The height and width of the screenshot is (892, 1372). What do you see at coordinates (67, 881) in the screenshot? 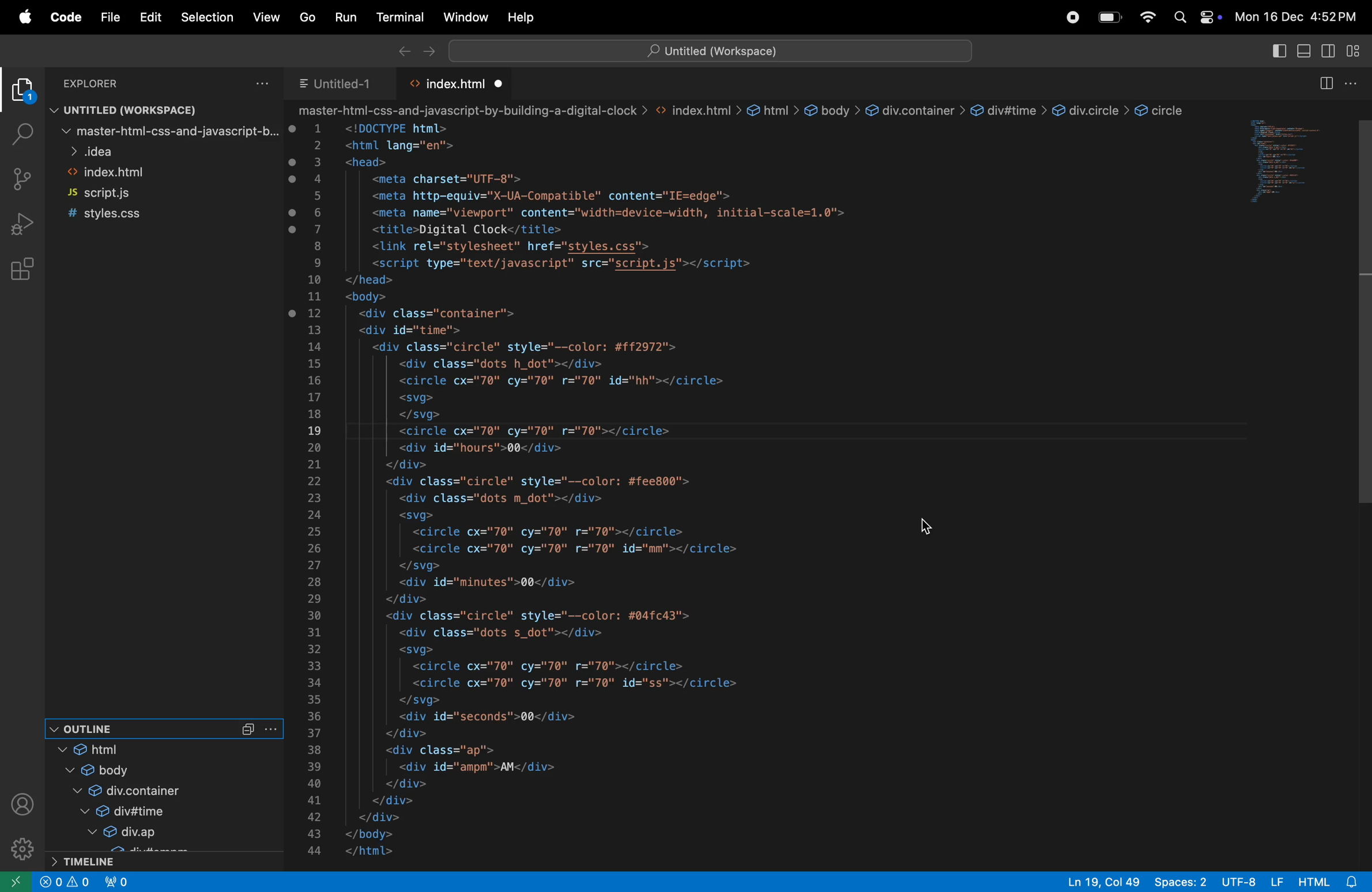
I see `` at bounding box center [67, 881].